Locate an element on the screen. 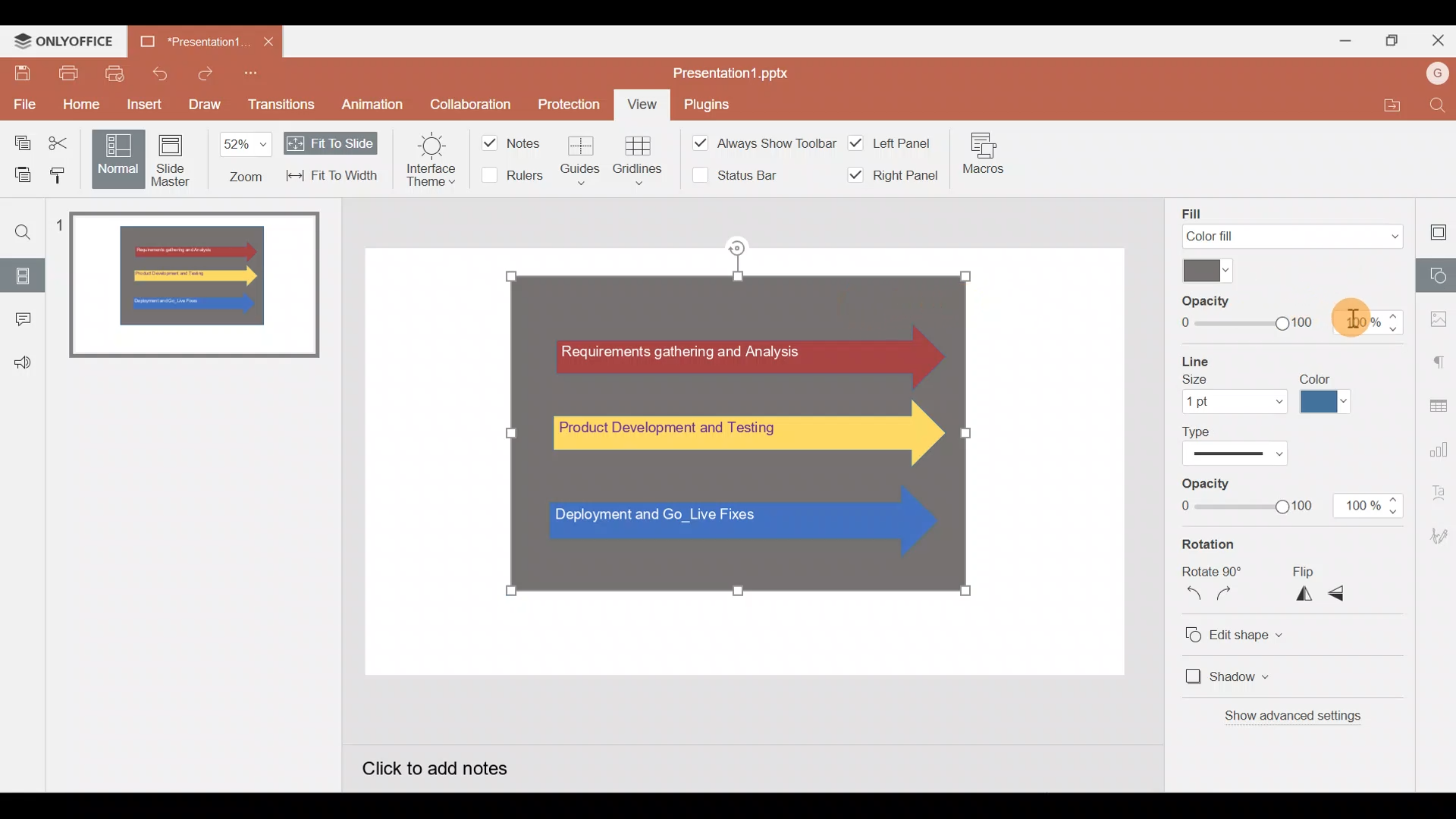 This screenshot has width=1456, height=819. Flip vertically is located at coordinates (1342, 593).